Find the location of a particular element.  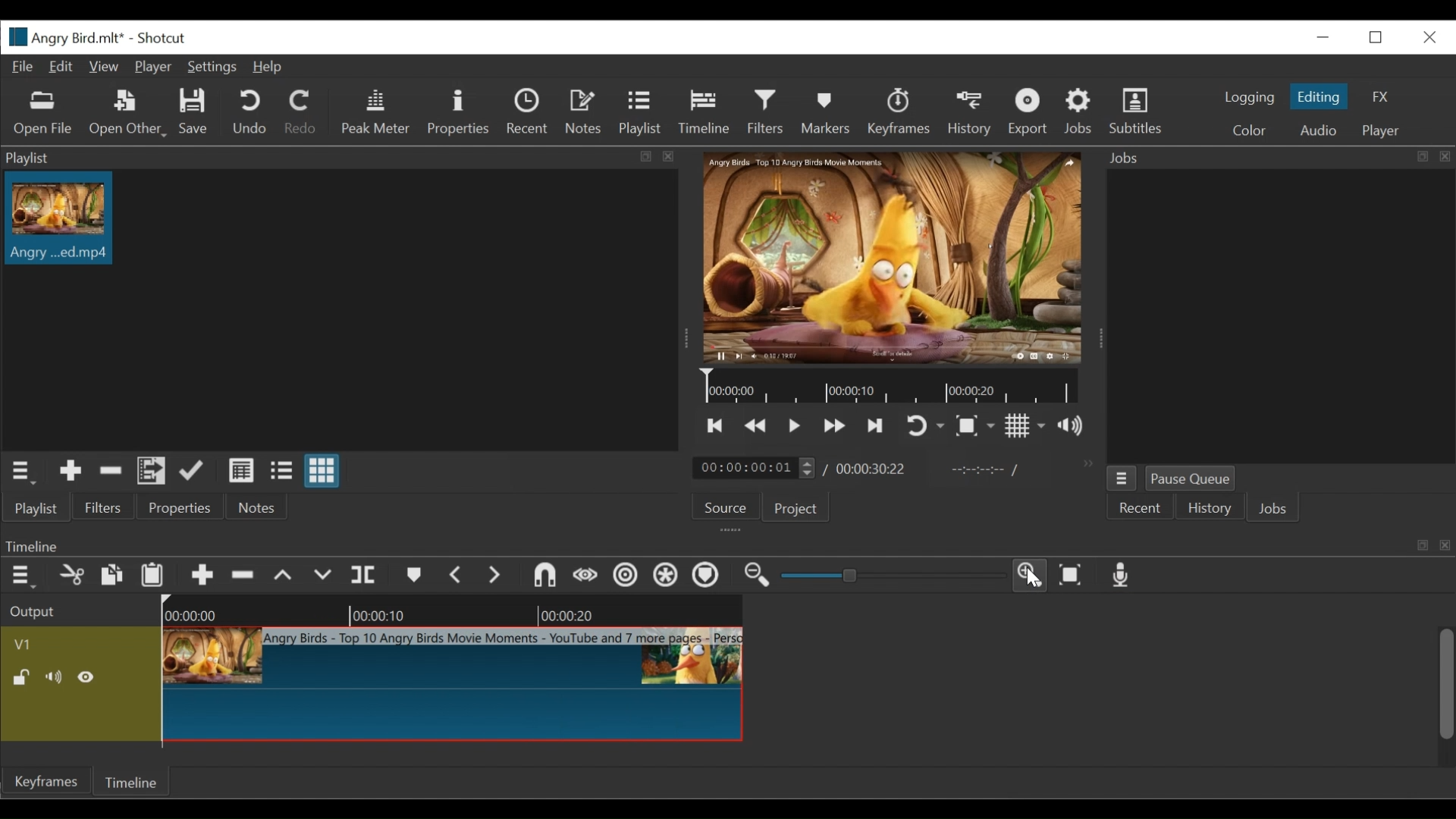

Output is located at coordinates (33, 611).